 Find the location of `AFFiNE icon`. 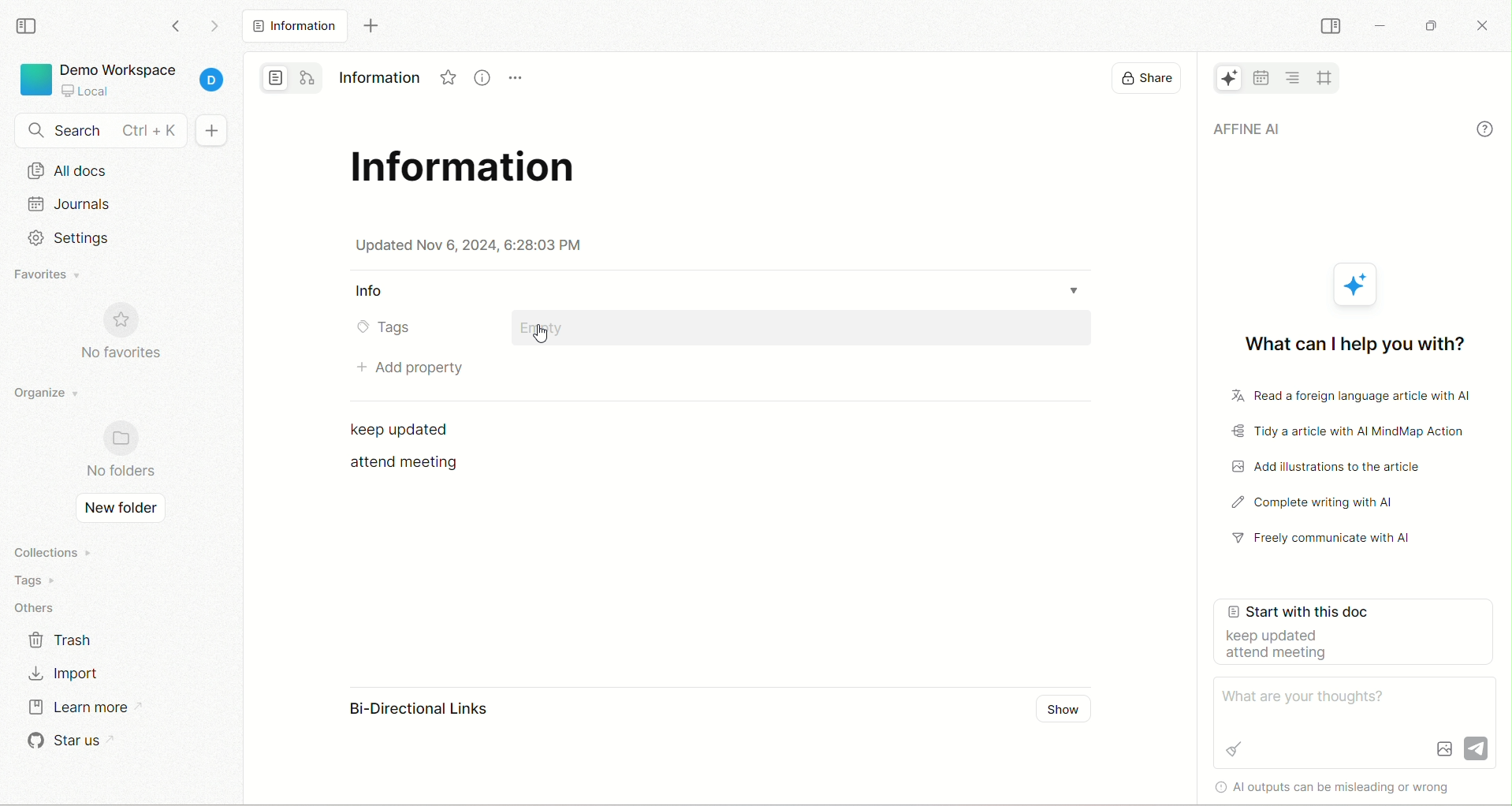

AFFiNE icon is located at coordinates (1358, 285).